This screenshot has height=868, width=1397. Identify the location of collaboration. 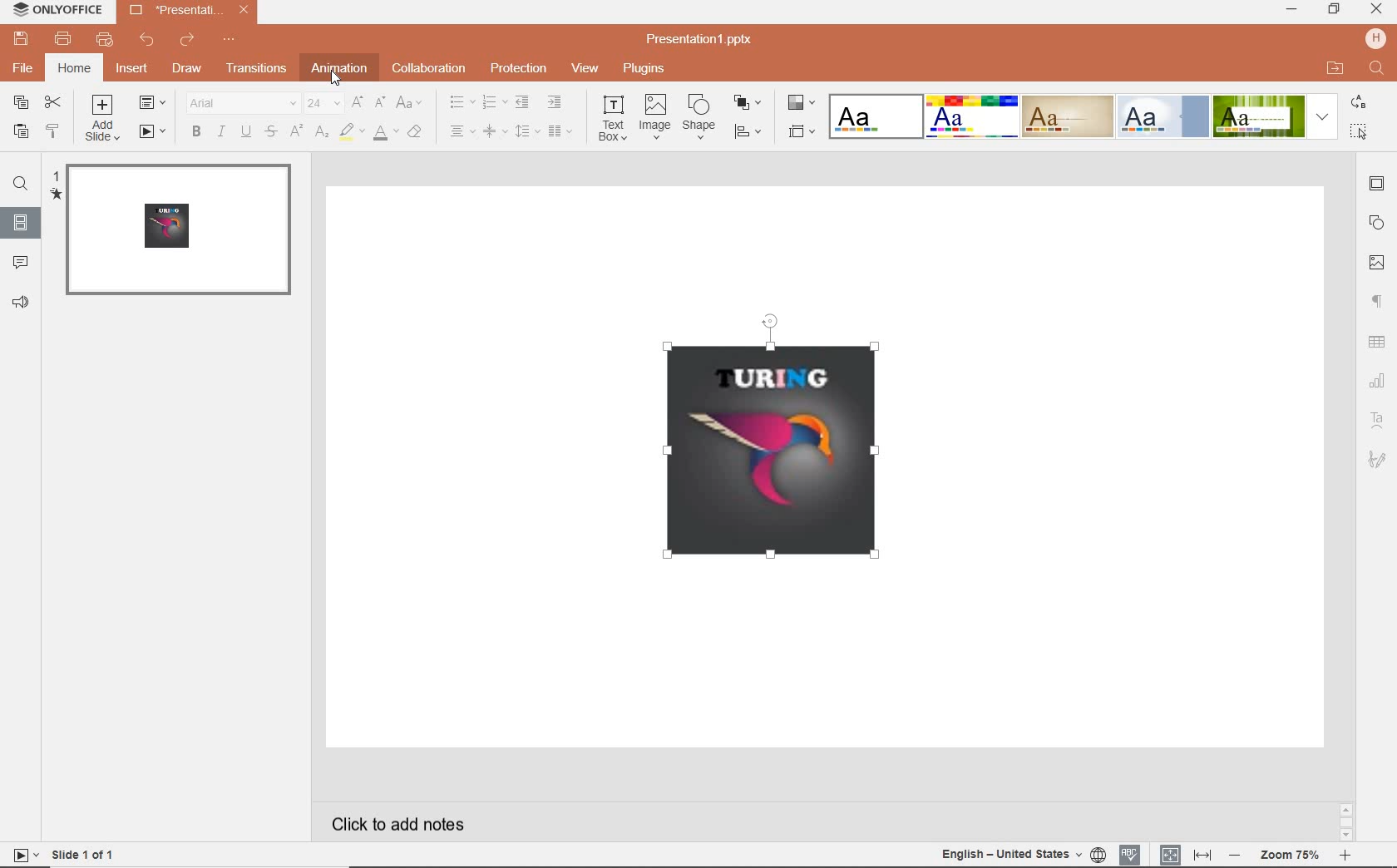
(430, 70).